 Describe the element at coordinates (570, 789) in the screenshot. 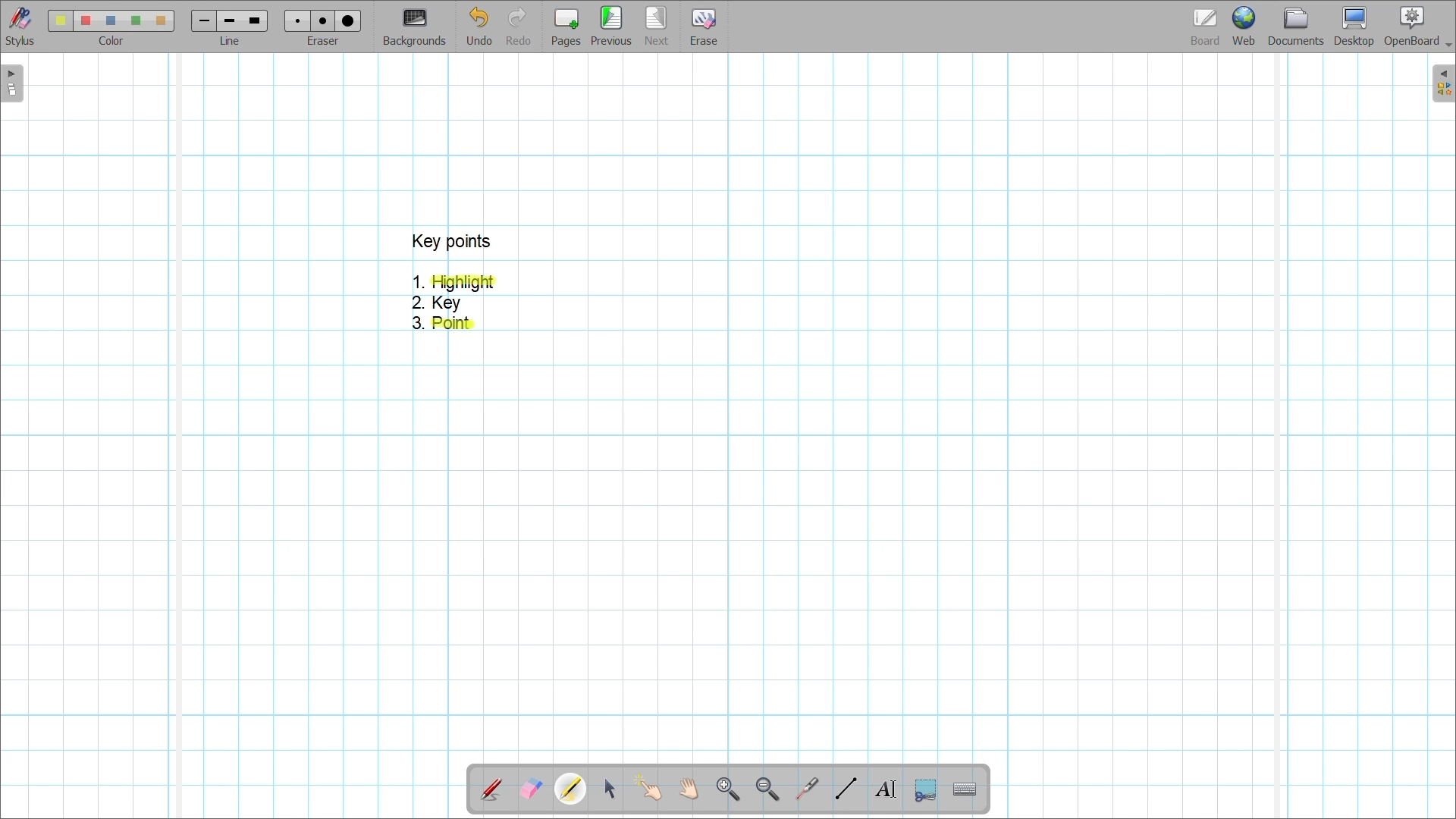

I see `Highlighter` at that location.